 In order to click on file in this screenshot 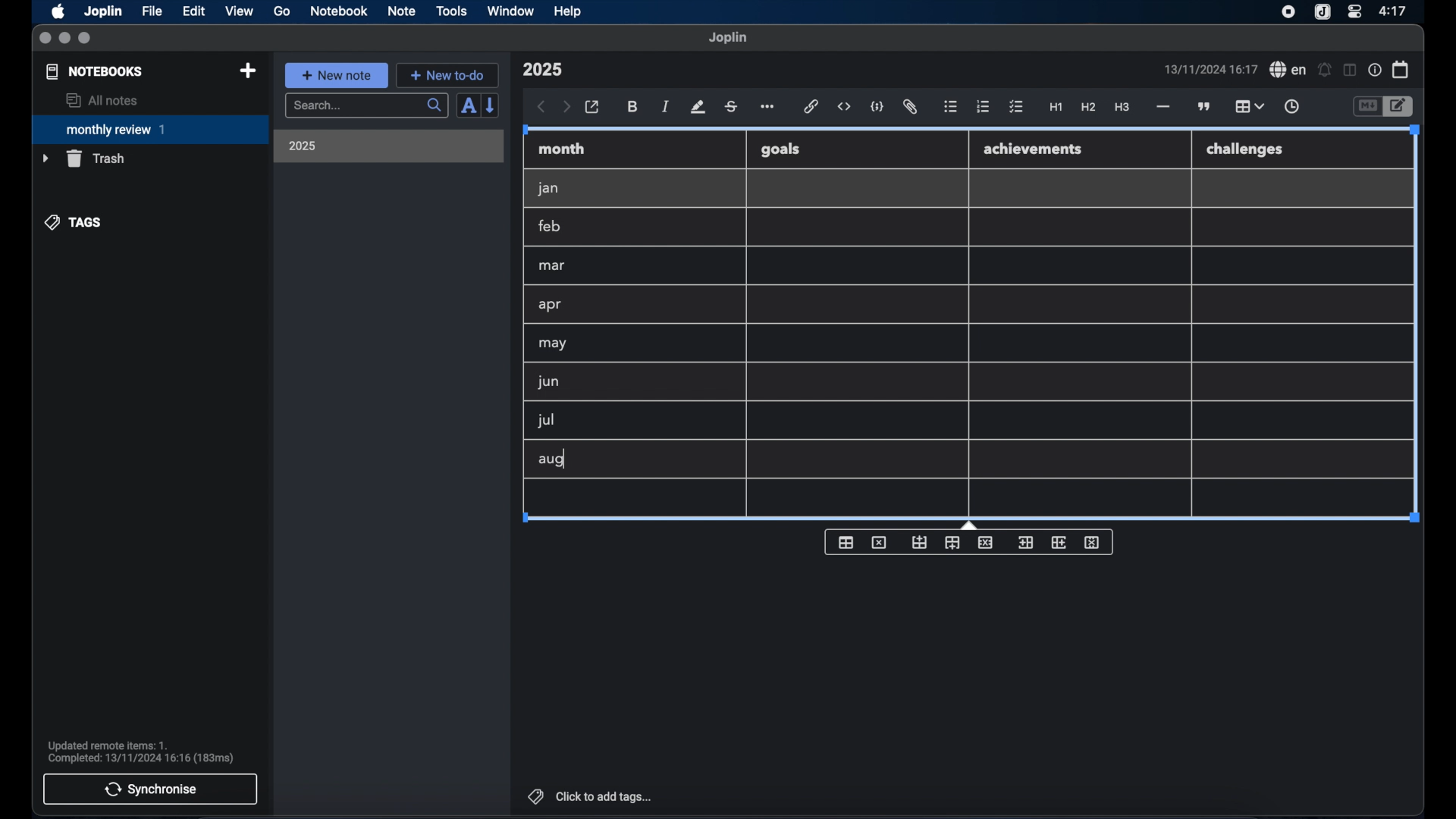, I will do `click(152, 11)`.